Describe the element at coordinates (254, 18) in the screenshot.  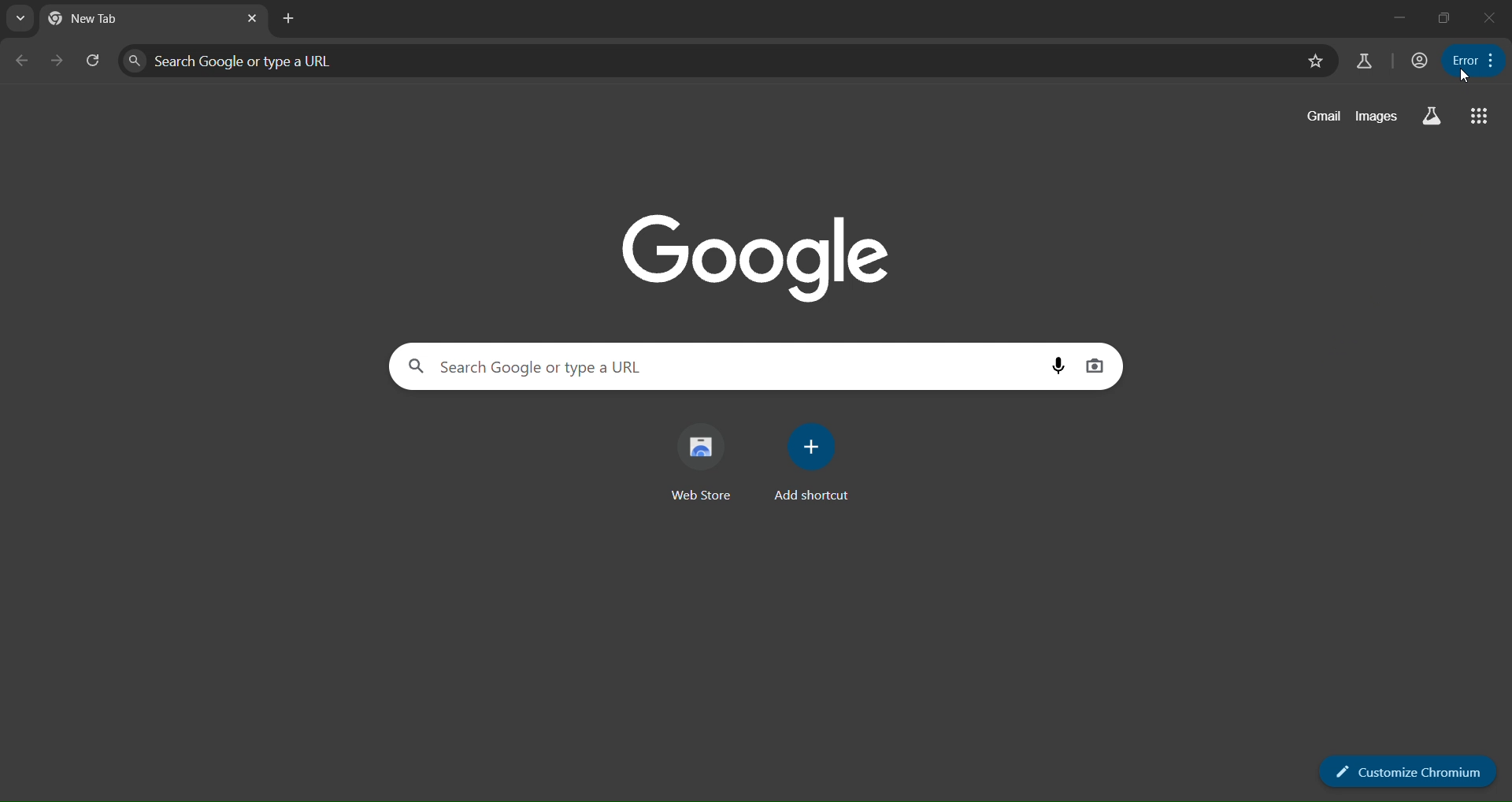
I see `close tab` at that location.